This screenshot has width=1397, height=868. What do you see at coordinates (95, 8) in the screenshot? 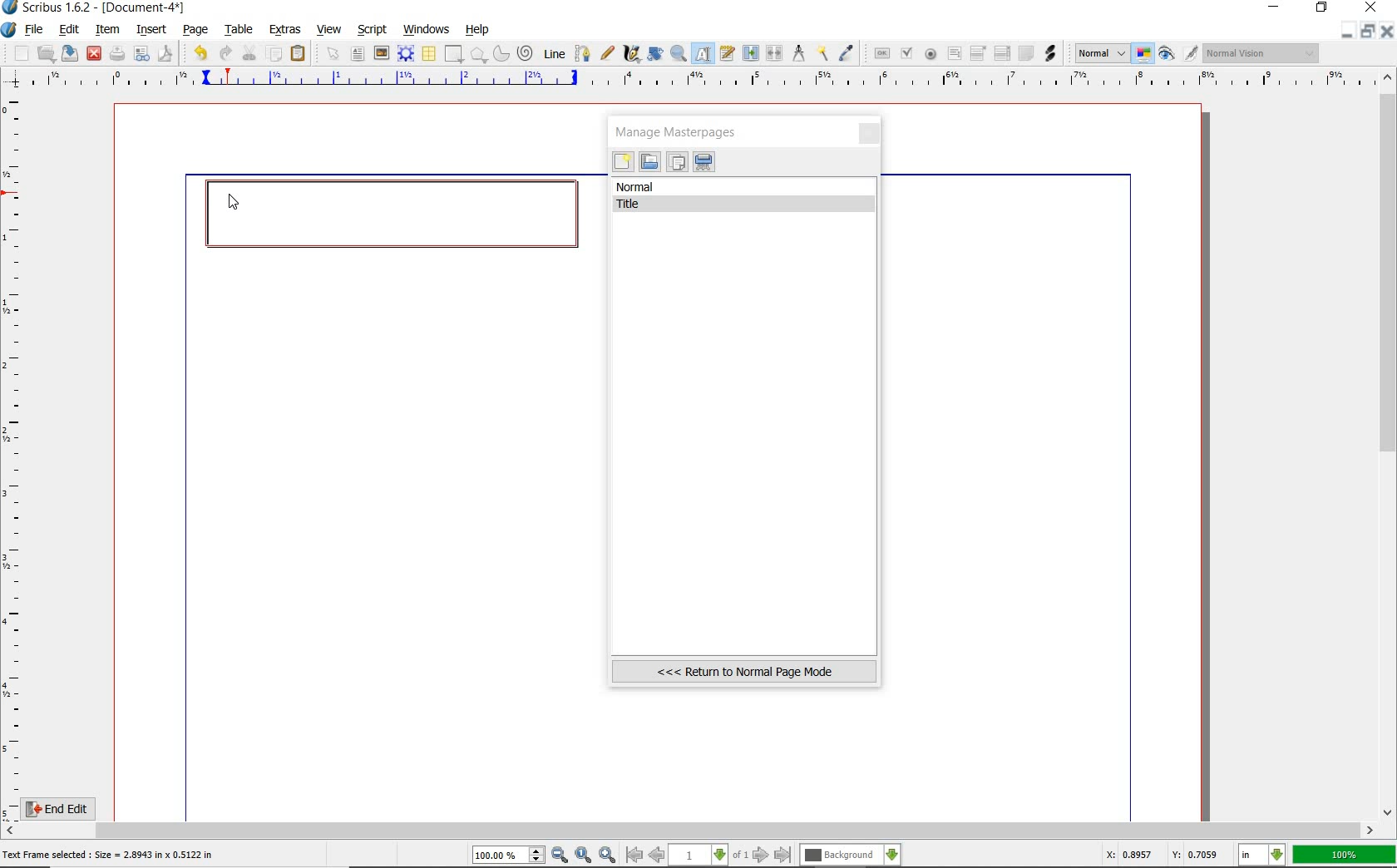
I see `Scribus 1.6.2 - [Document-4*]` at bounding box center [95, 8].